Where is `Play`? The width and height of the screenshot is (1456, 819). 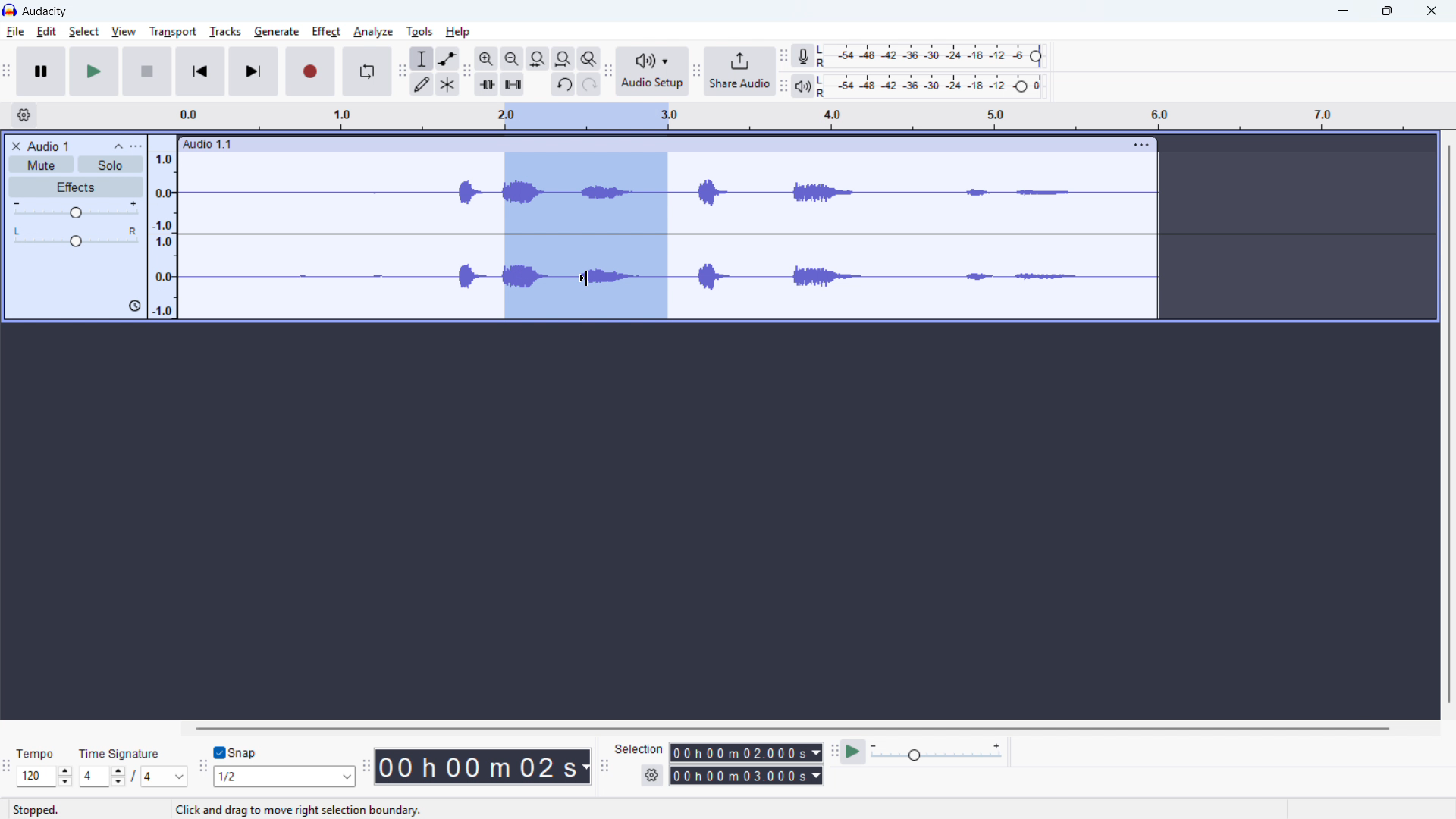
Play is located at coordinates (94, 71).